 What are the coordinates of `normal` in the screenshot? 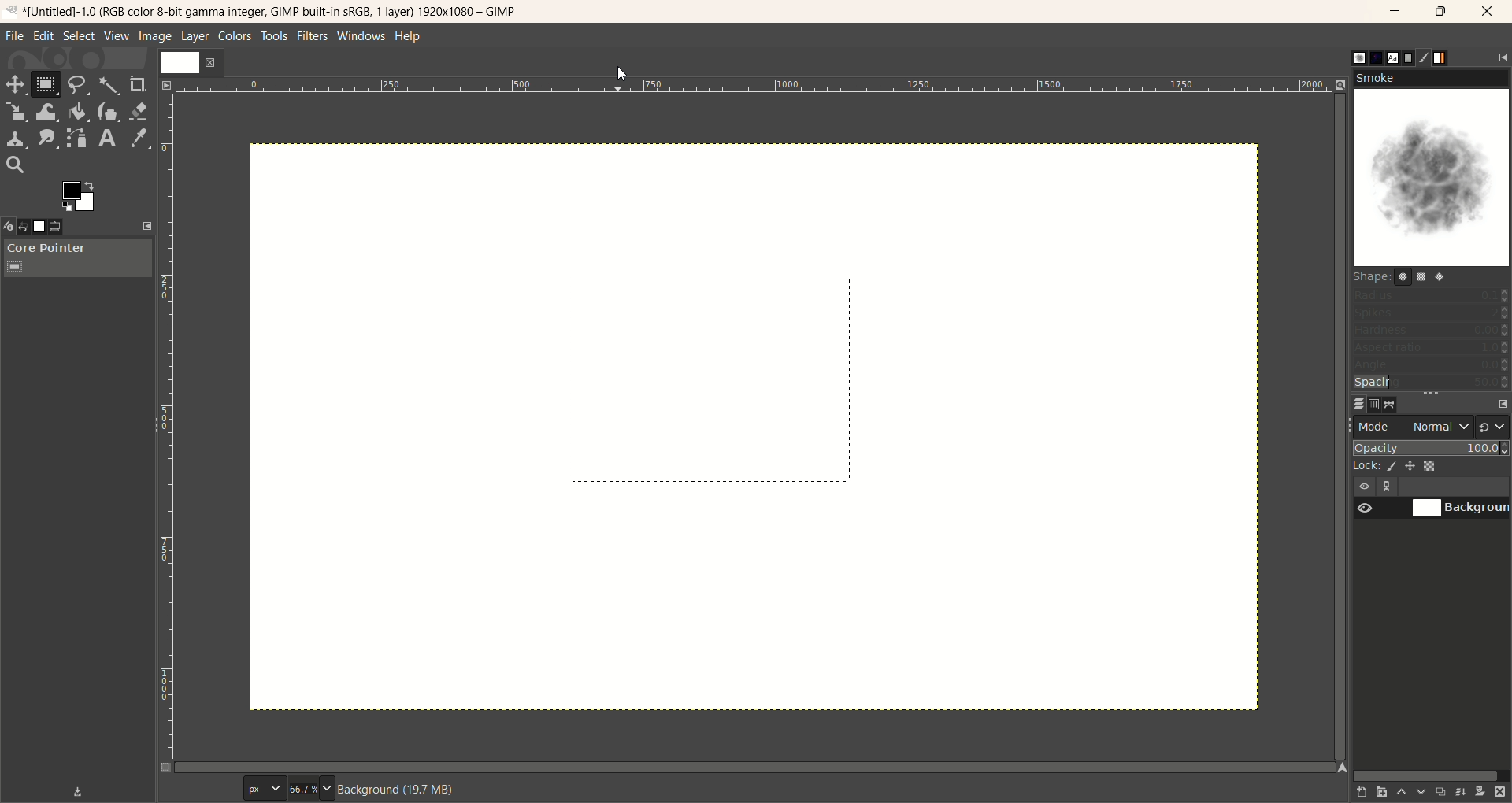 It's located at (1435, 426).